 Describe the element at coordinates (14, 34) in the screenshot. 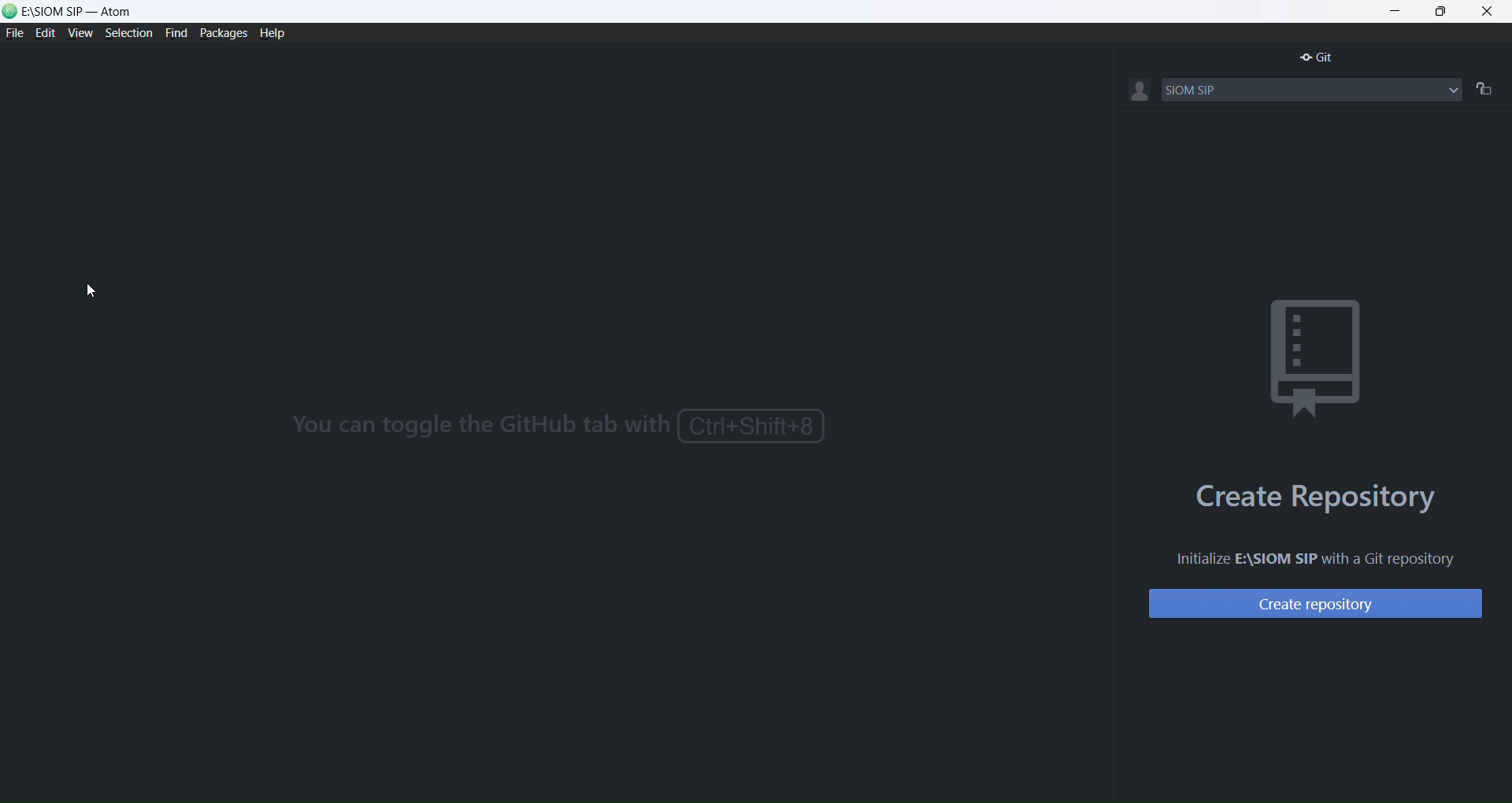

I see `file` at that location.